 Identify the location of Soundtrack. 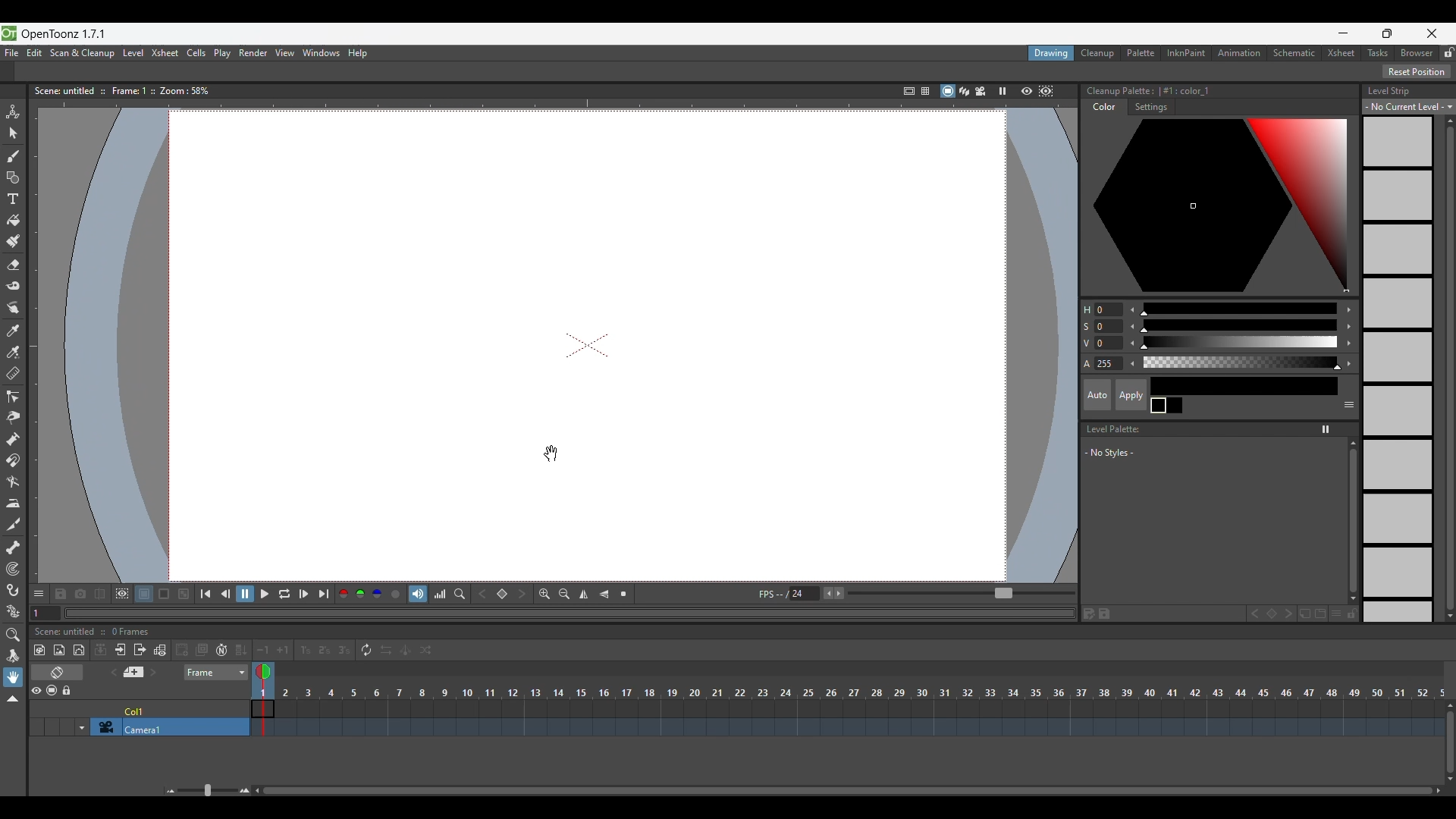
(418, 594).